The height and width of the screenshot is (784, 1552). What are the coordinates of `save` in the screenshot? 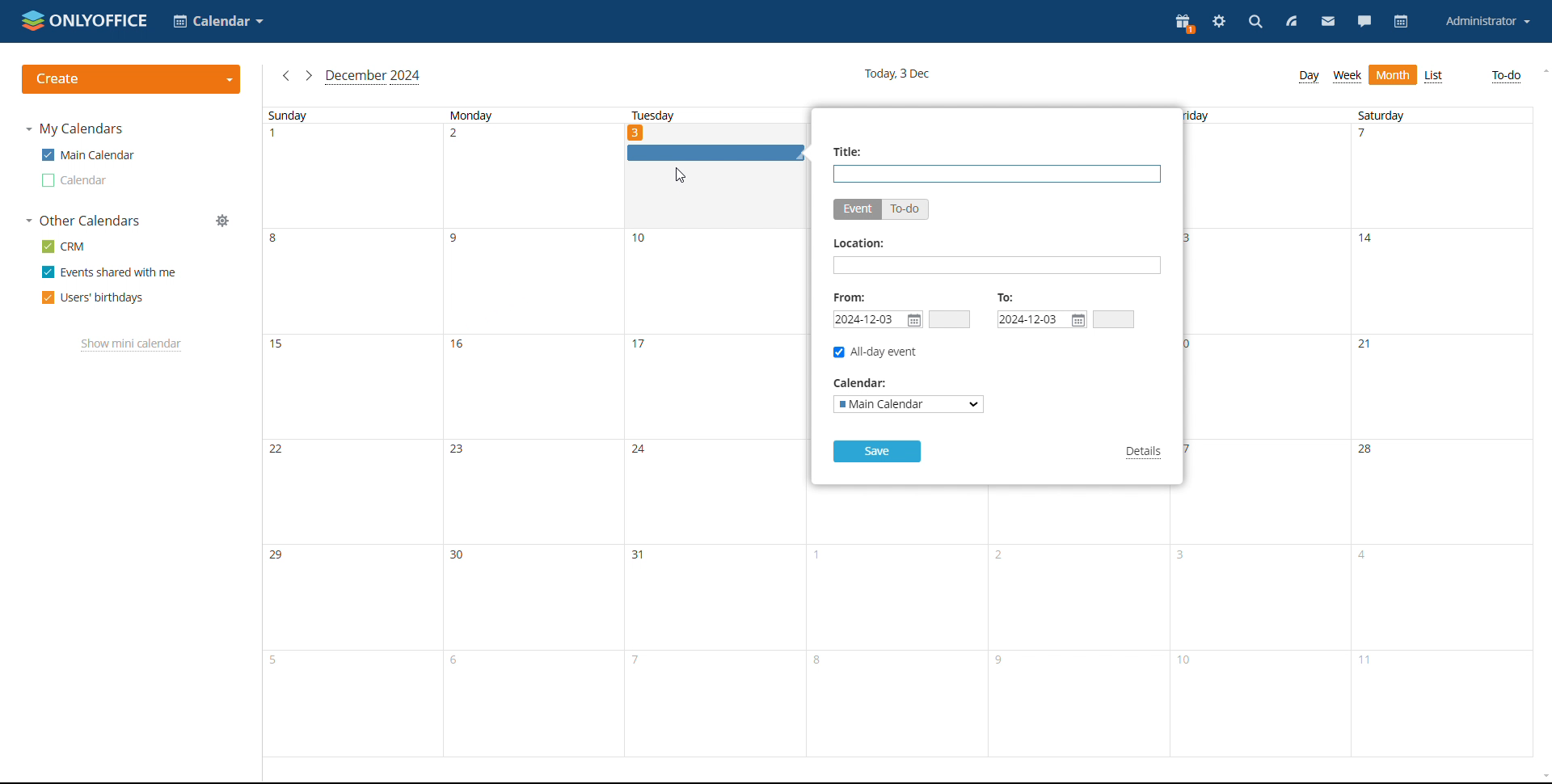 It's located at (877, 452).